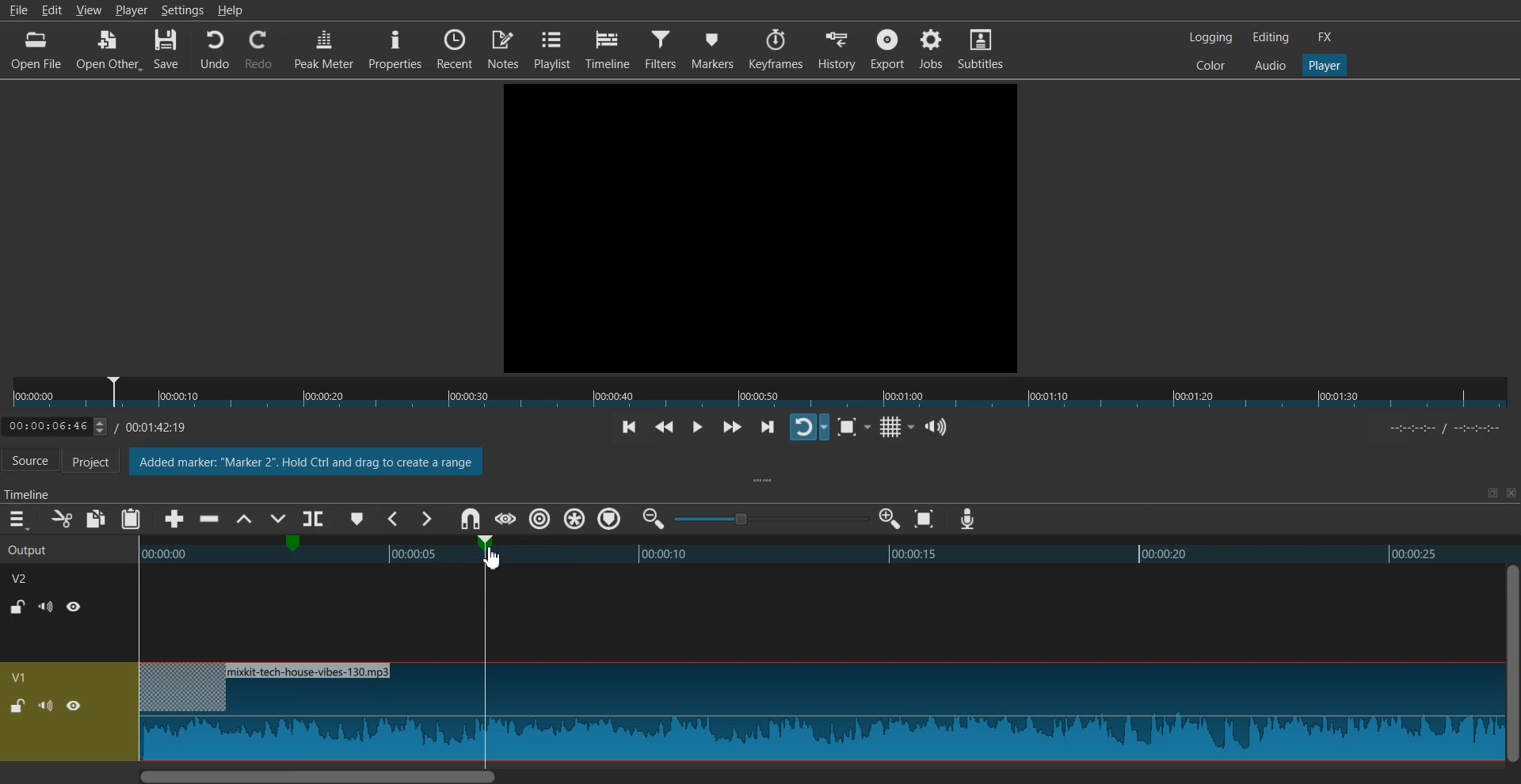 This screenshot has width=1521, height=784. I want to click on Toggle Zoom, so click(849, 428).